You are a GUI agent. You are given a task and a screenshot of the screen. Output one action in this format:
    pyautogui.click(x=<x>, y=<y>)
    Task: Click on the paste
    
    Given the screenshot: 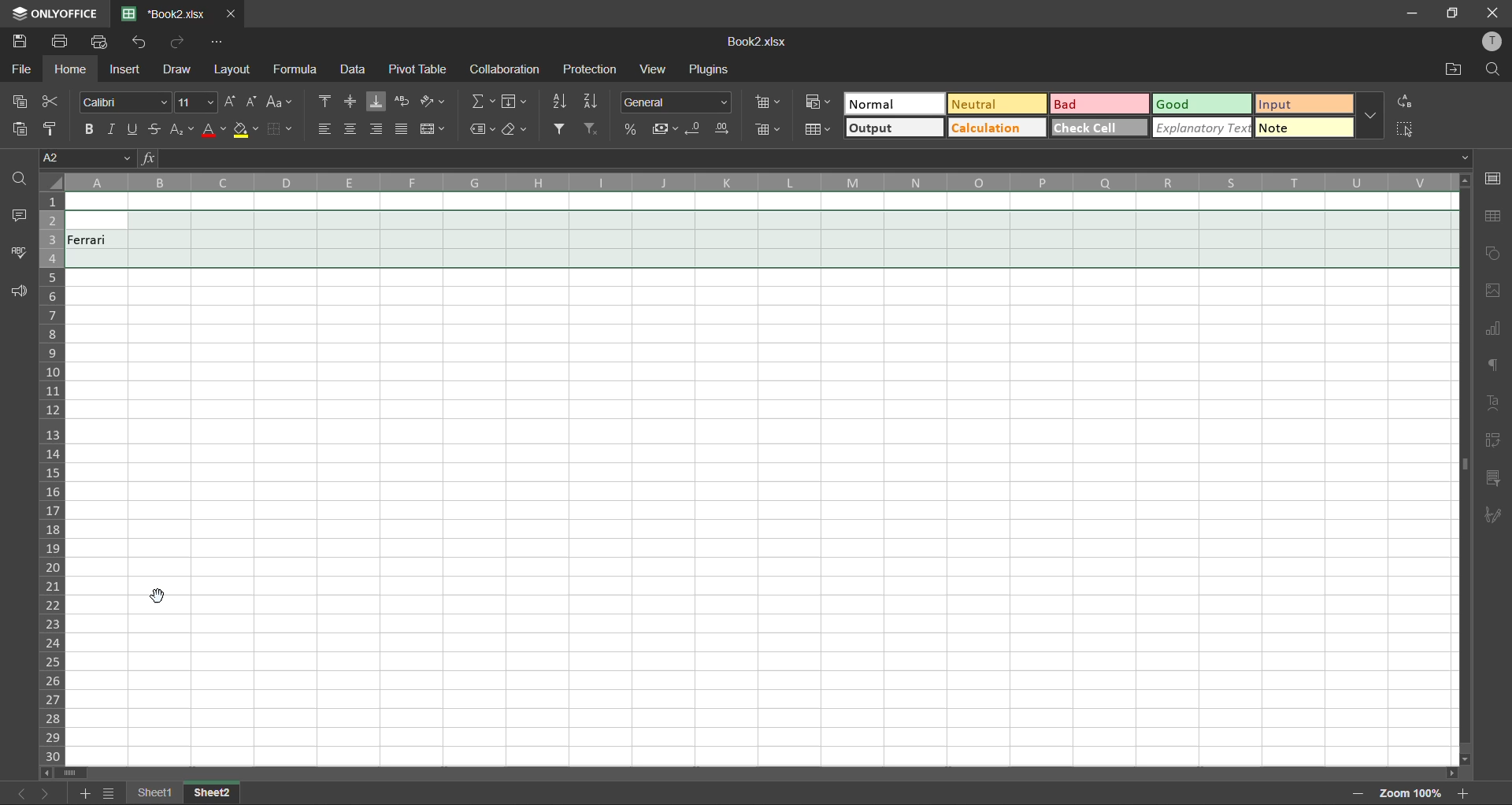 What is the action you would take?
    pyautogui.click(x=20, y=130)
    